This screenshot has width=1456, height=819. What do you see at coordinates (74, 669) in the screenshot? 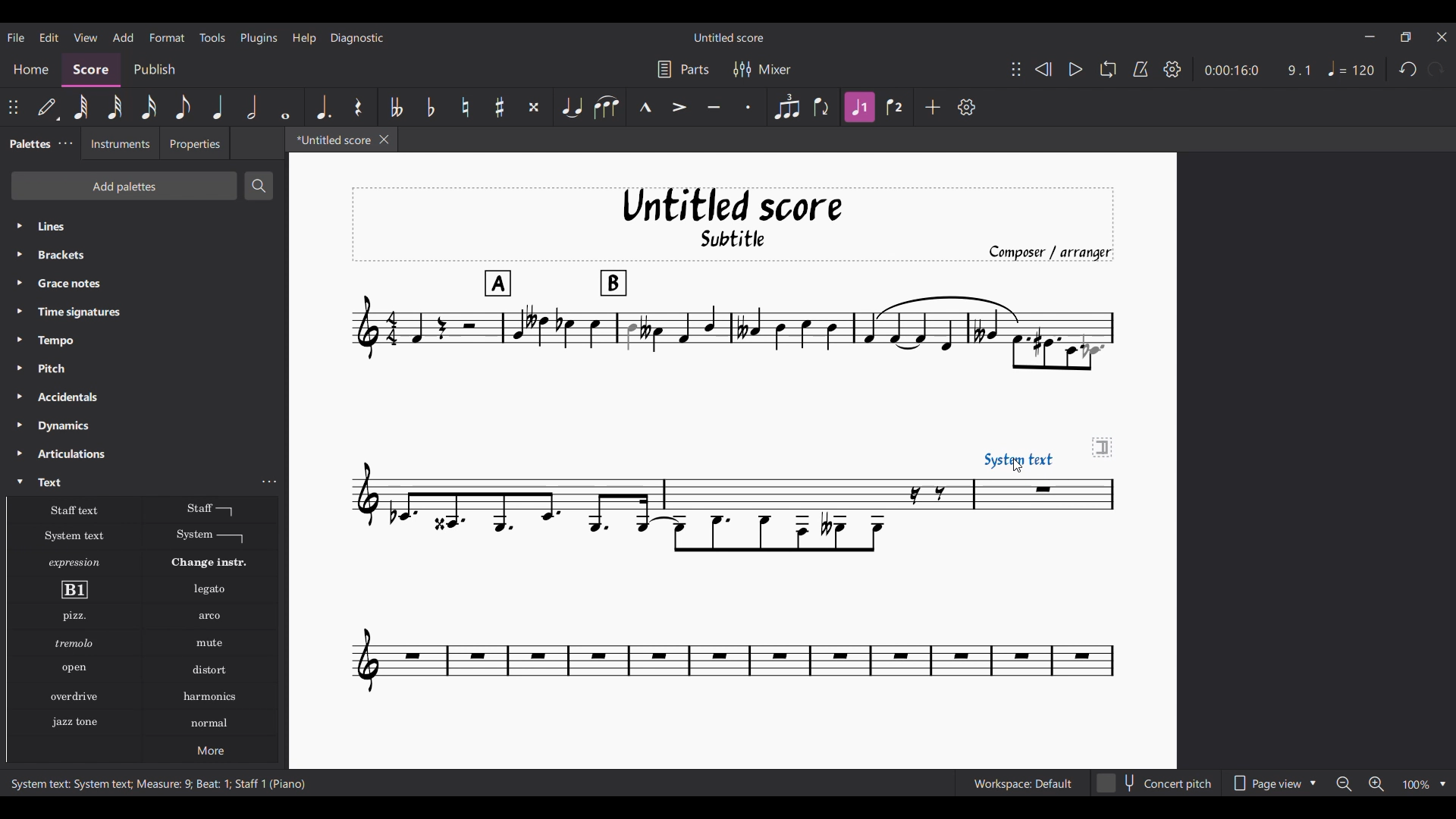
I see `Open` at bounding box center [74, 669].